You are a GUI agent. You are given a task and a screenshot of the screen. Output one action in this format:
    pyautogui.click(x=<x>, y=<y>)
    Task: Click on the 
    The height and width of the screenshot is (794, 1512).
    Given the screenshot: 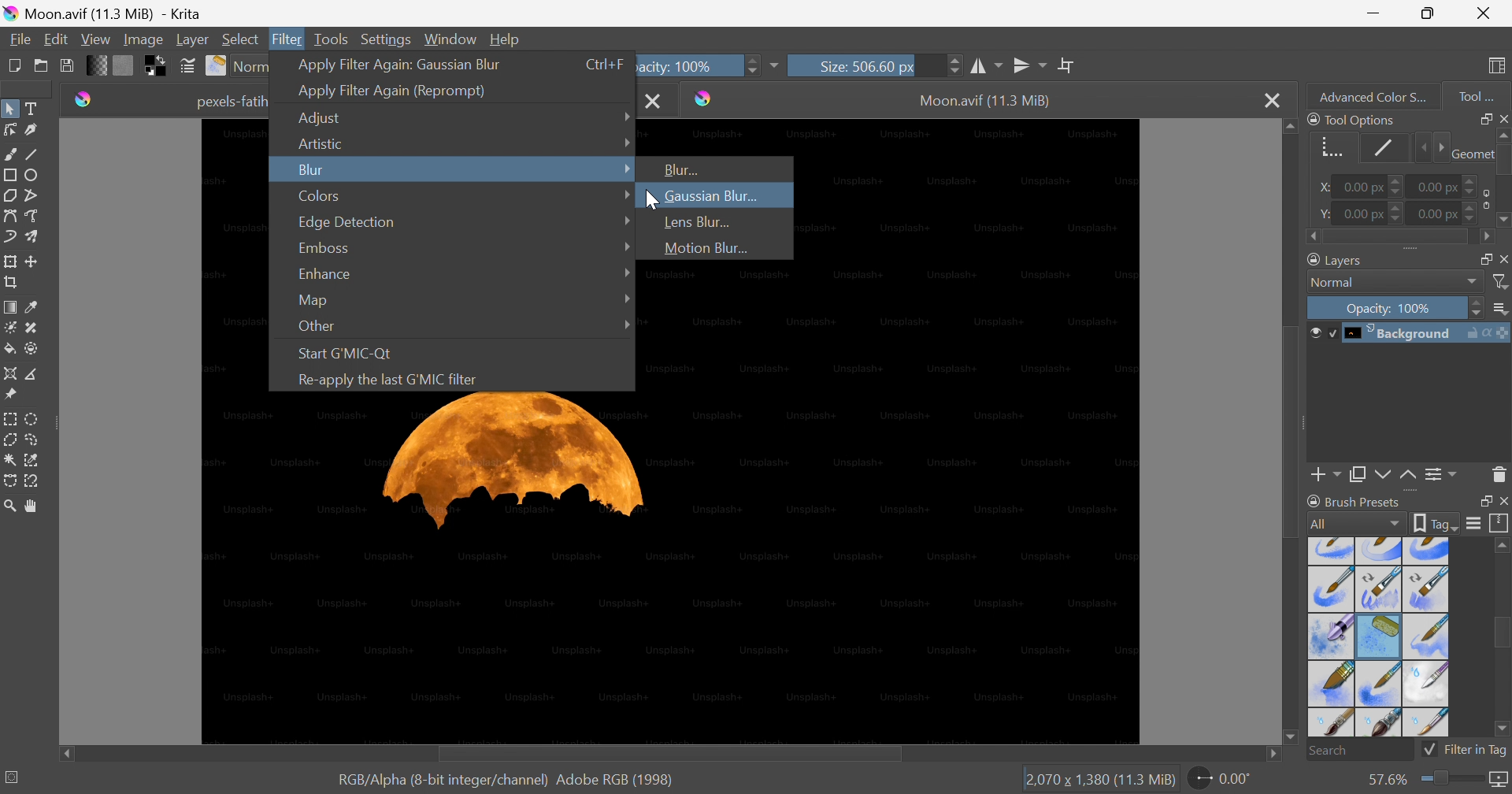 What is the action you would take?
    pyautogui.click(x=13, y=65)
    